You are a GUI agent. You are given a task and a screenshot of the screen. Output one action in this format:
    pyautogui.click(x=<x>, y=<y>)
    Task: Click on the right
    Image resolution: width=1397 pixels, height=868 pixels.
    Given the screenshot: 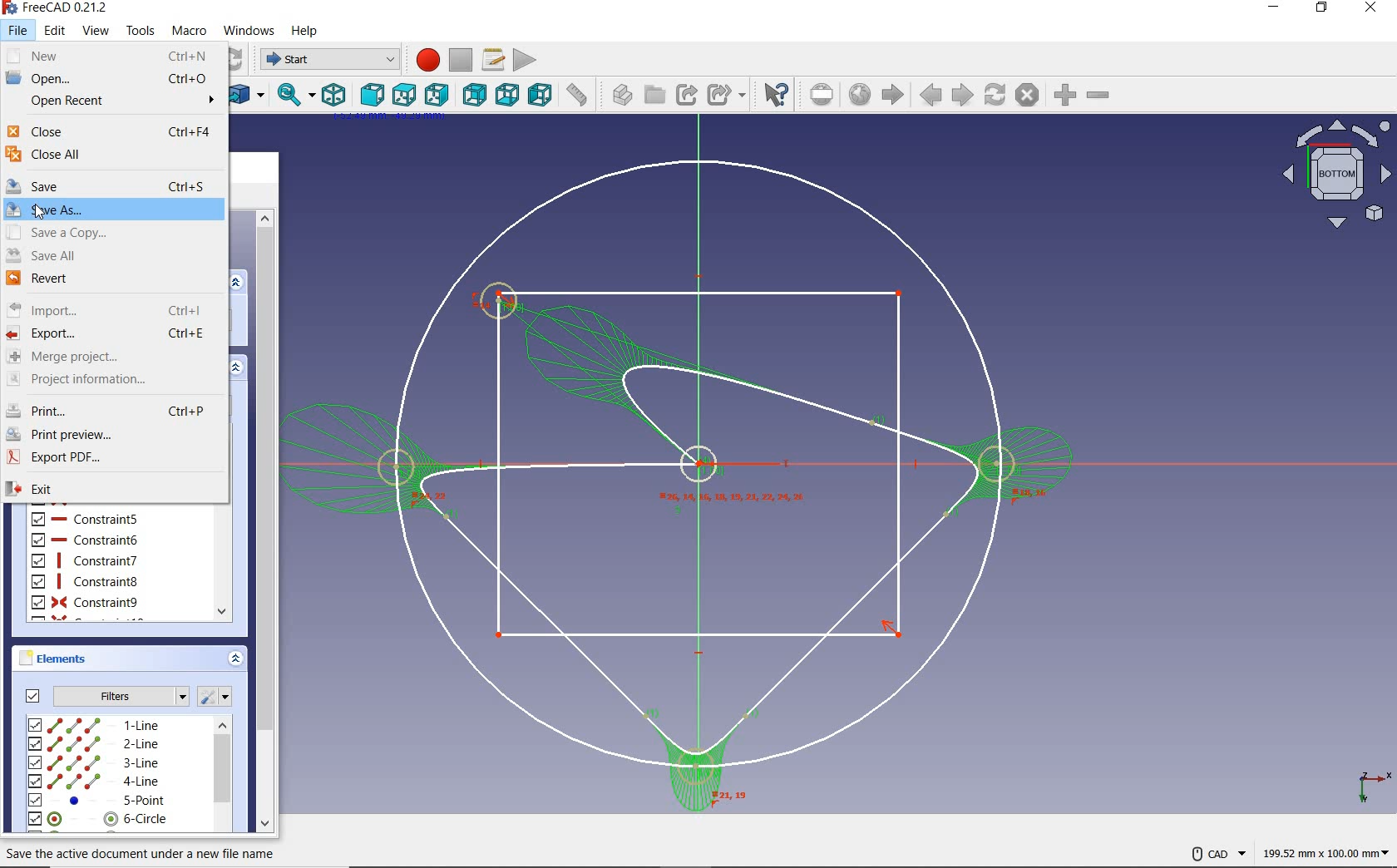 What is the action you would take?
    pyautogui.click(x=437, y=94)
    